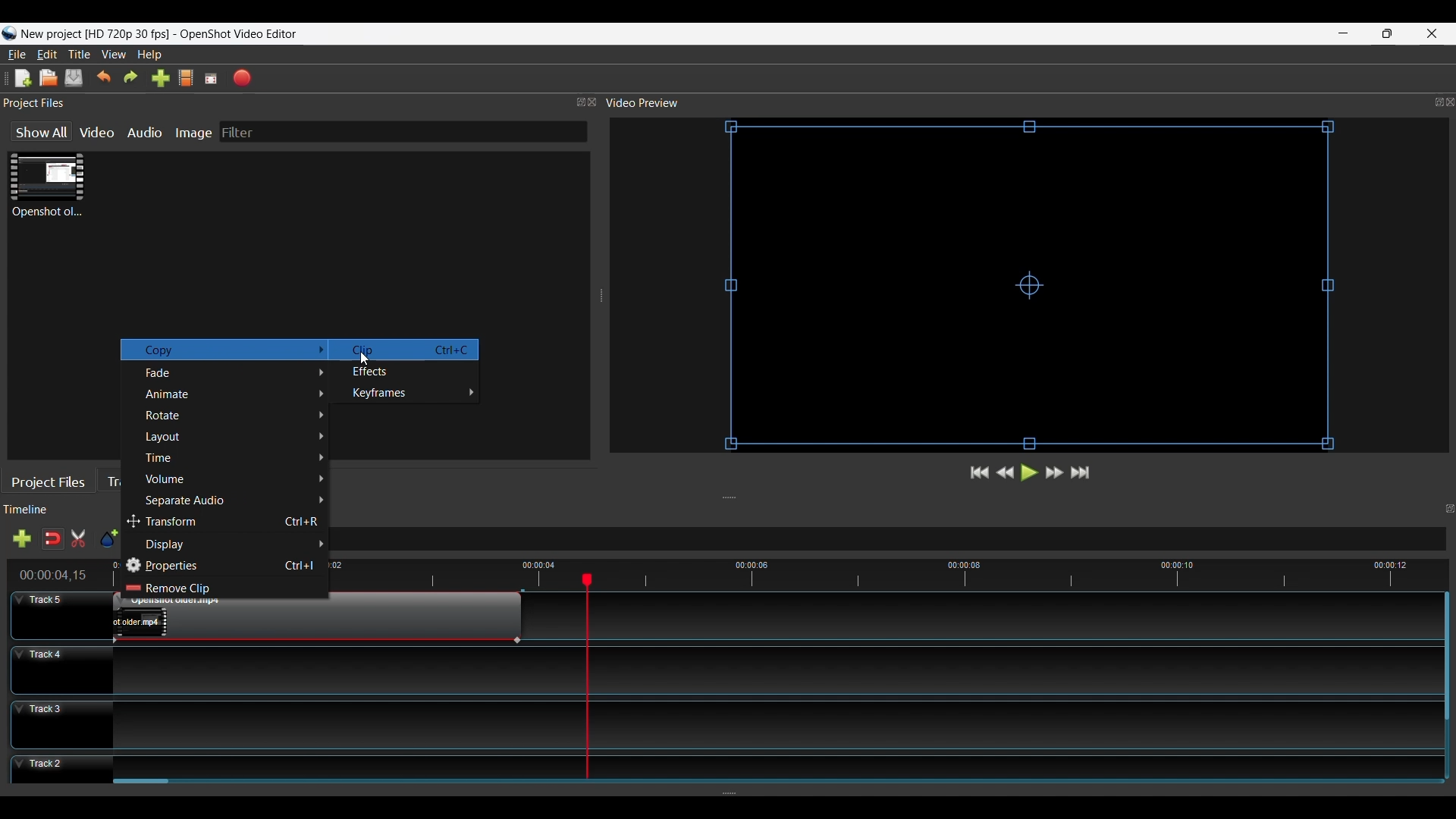  What do you see at coordinates (407, 373) in the screenshot?
I see `Effects` at bounding box center [407, 373].